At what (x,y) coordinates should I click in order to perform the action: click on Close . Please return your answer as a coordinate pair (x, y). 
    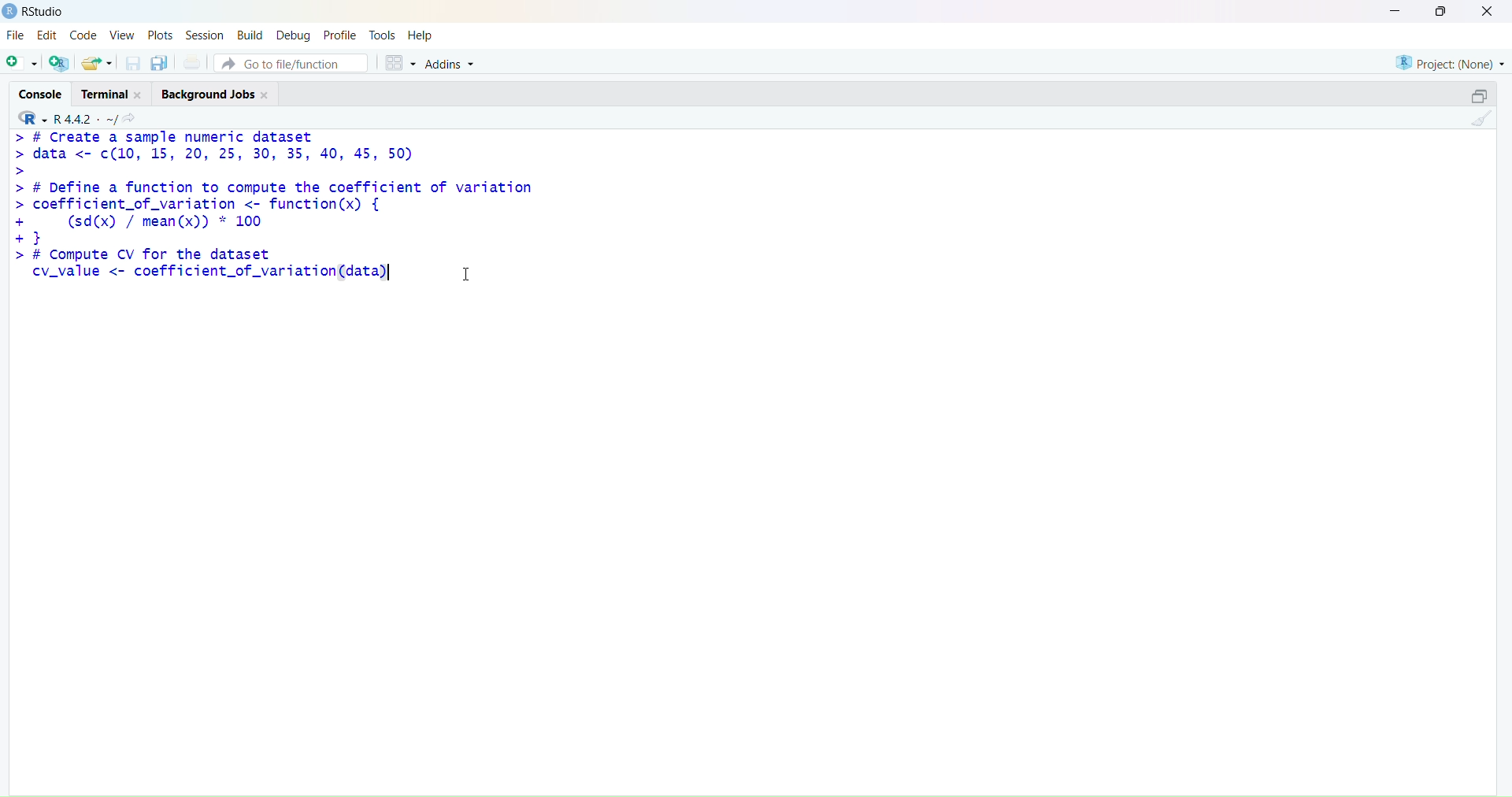
    Looking at the image, I should click on (266, 95).